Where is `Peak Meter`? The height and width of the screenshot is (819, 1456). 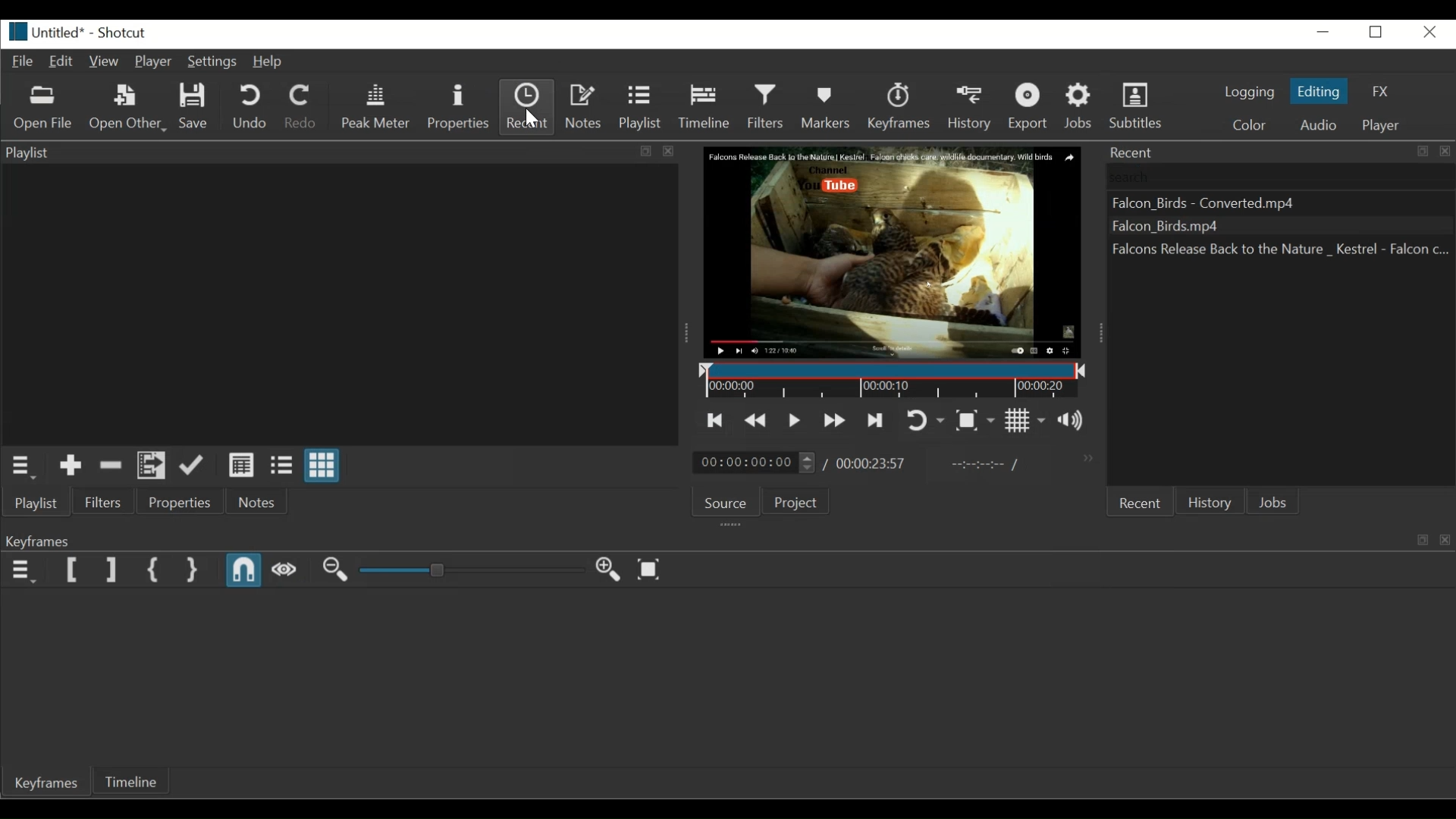 Peak Meter is located at coordinates (375, 107).